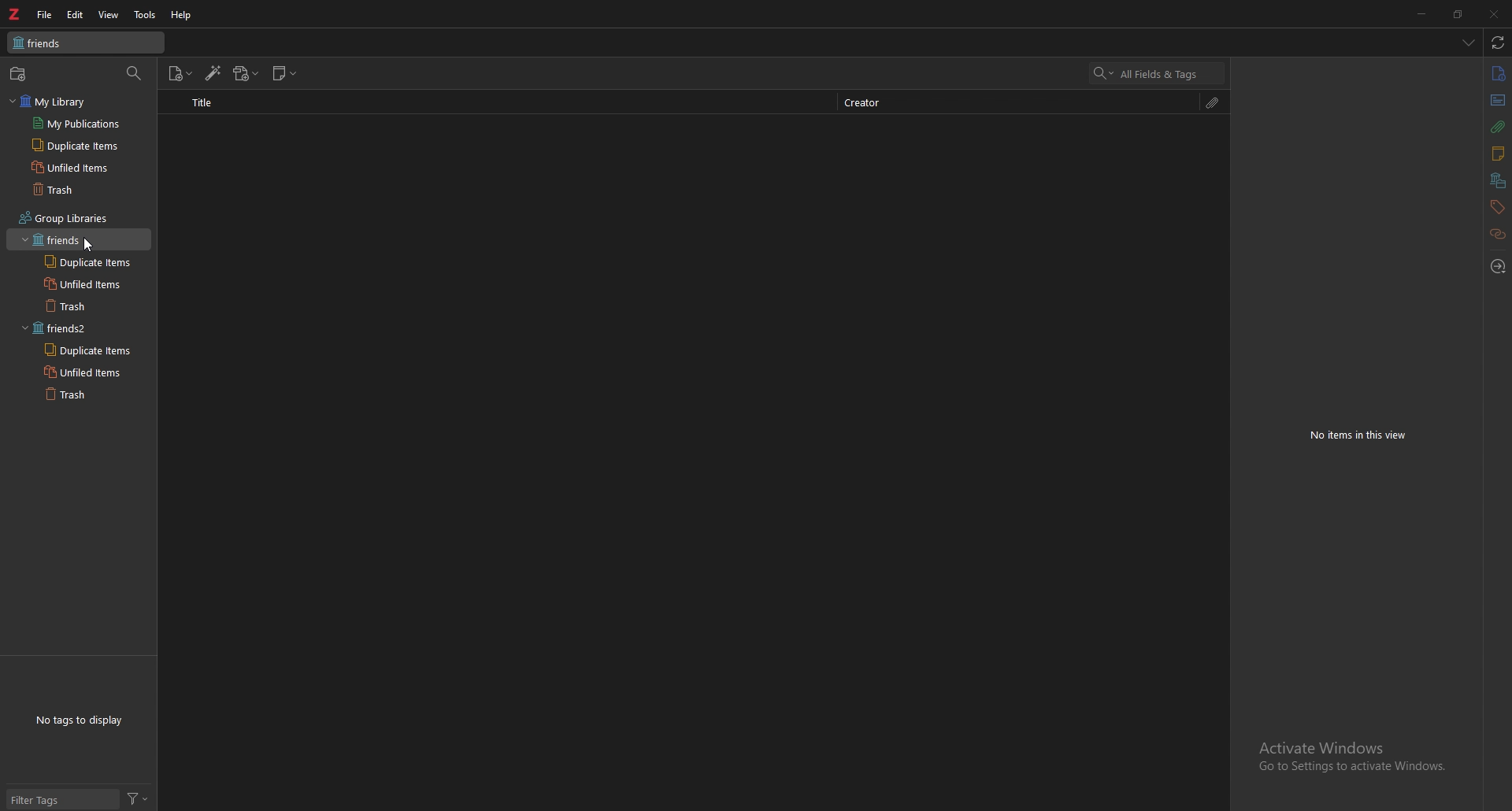 This screenshot has height=811, width=1512. I want to click on trash, so click(83, 189).